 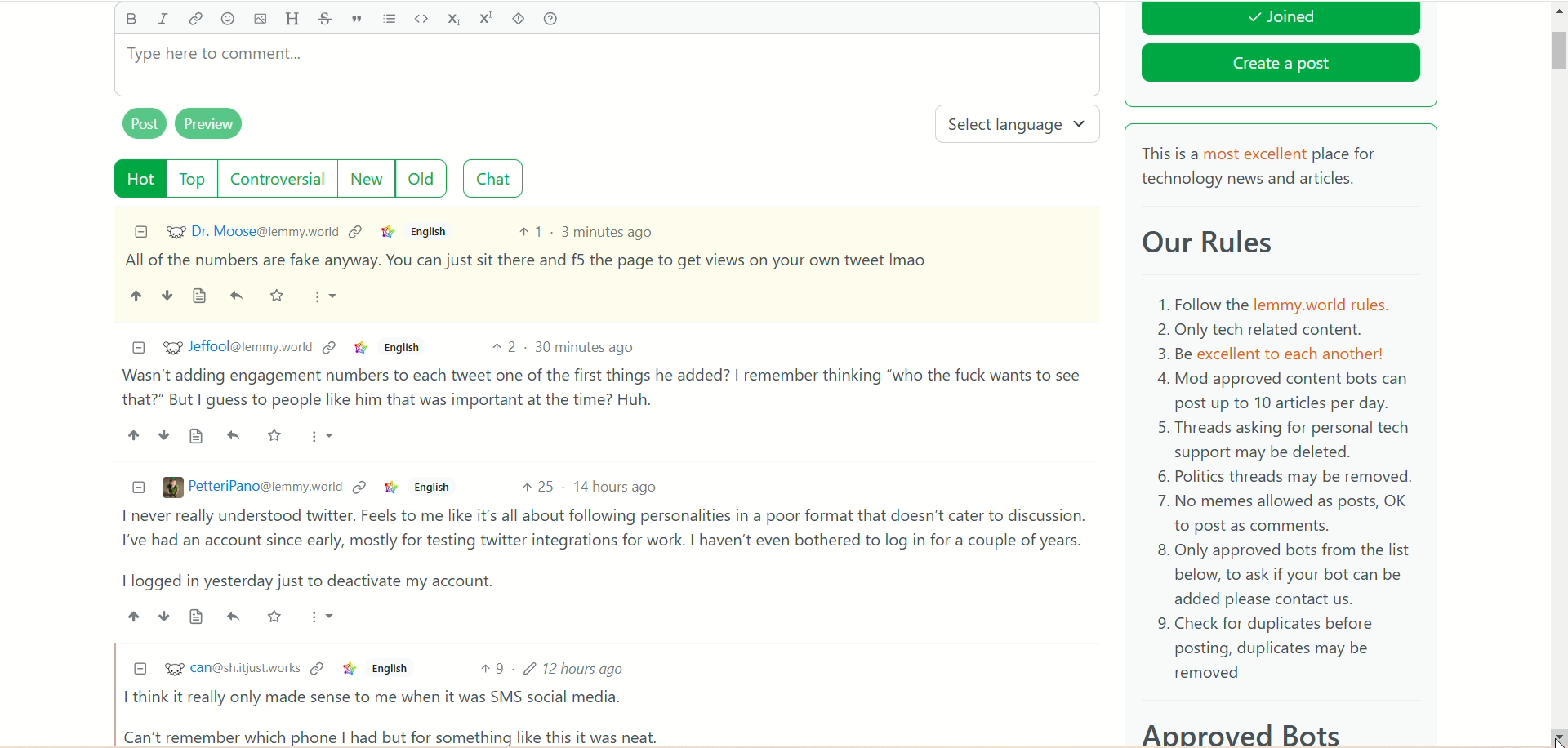 I want to click on Downvote, so click(x=164, y=617).